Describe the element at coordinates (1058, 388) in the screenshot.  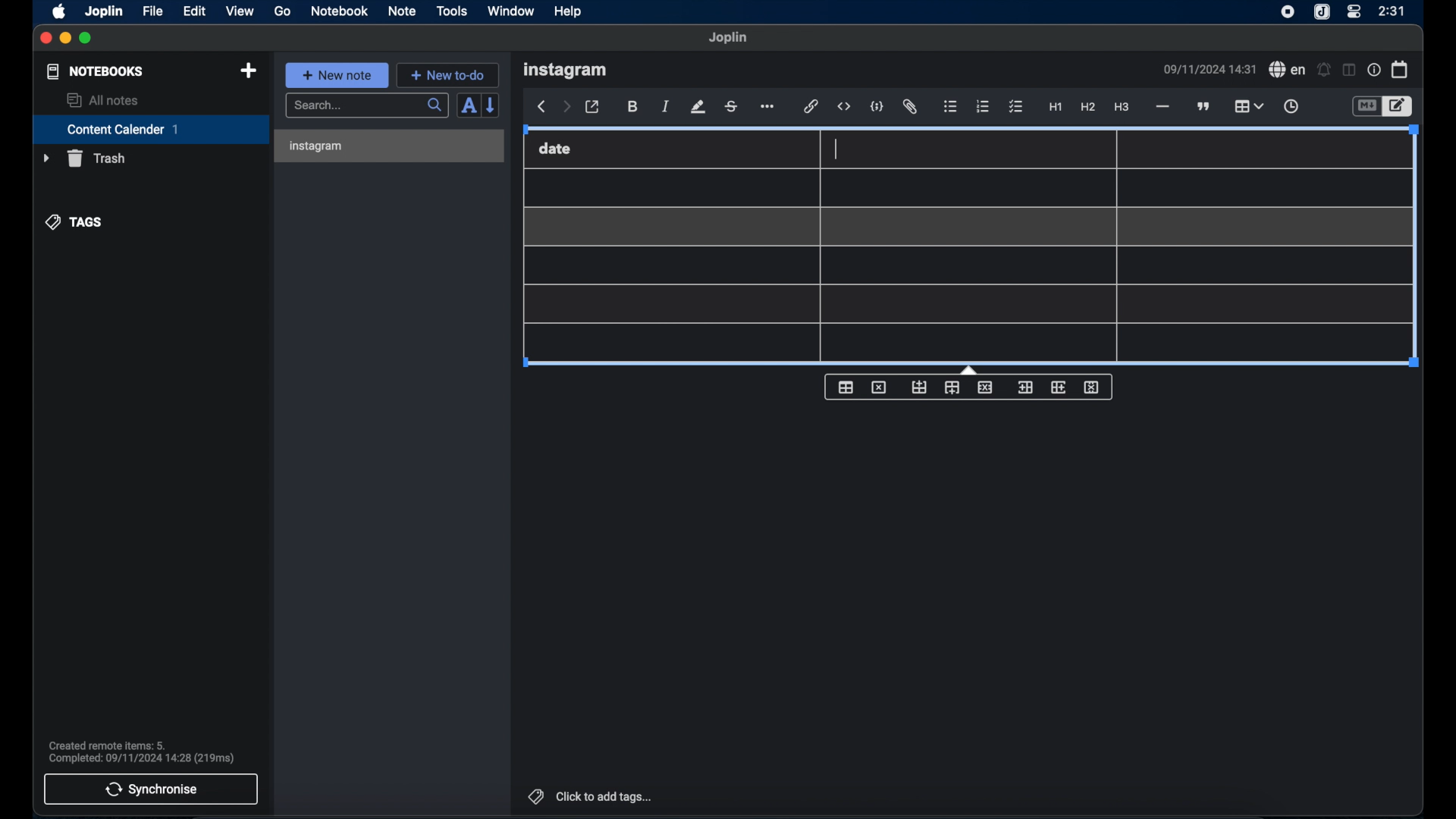
I see `insert column after` at that location.